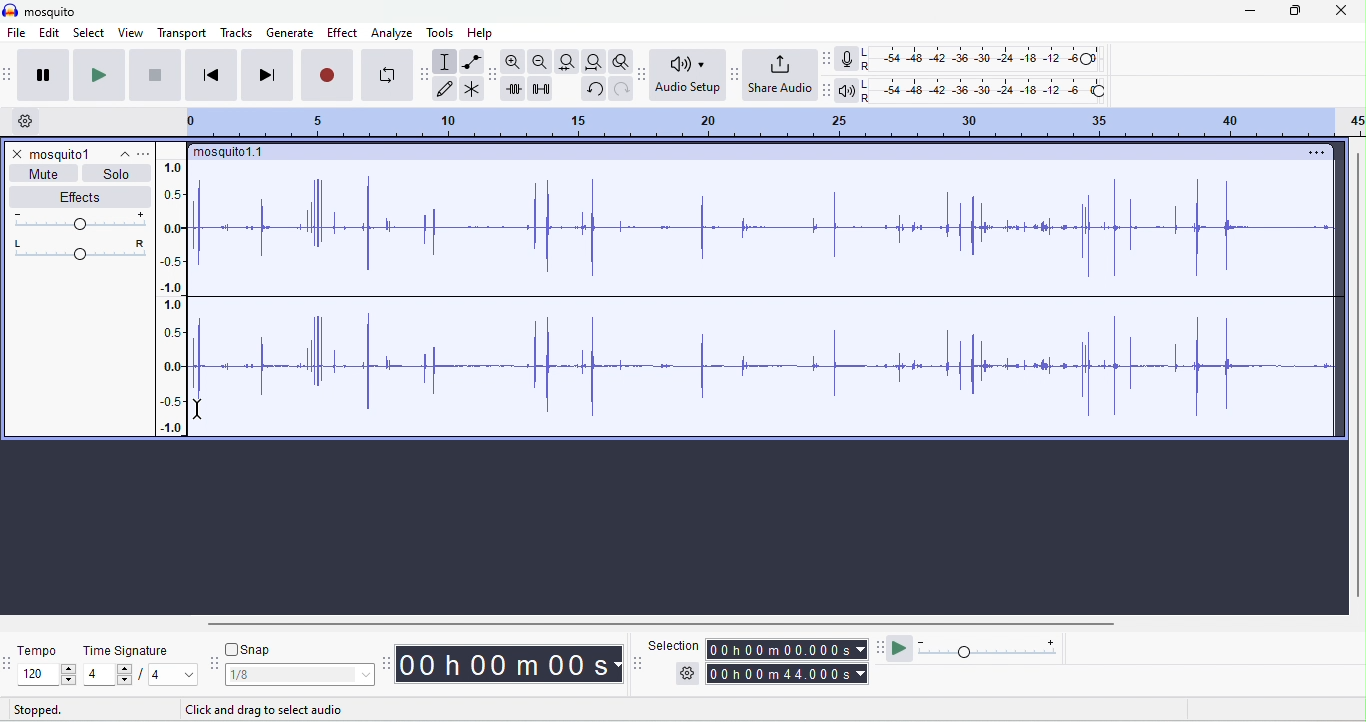 The width and height of the screenshot is (1366, 722). I want to click on playback meter tool bar, so click(826, 89).